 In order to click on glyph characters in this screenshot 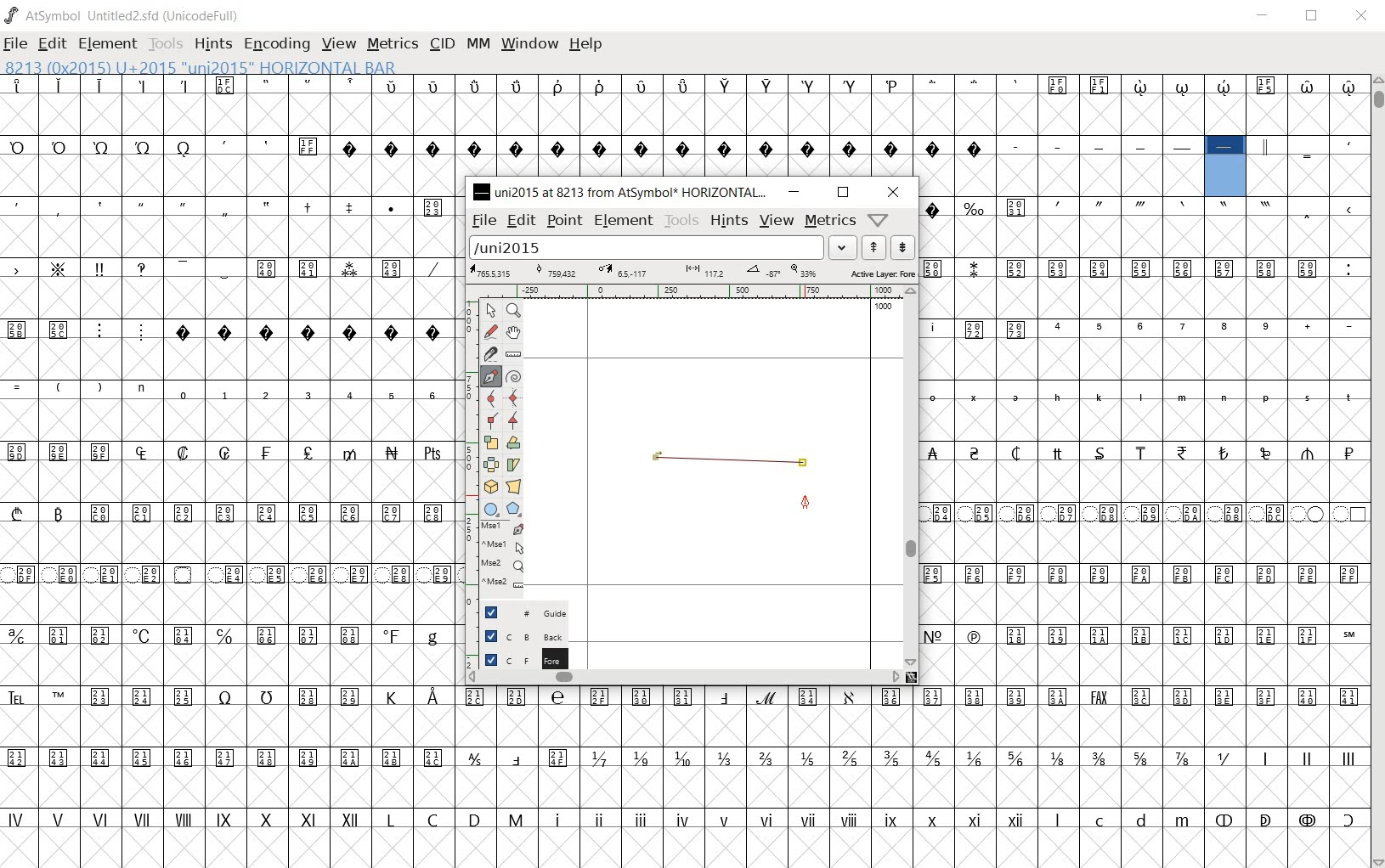, I will do `click(914, 775)`.